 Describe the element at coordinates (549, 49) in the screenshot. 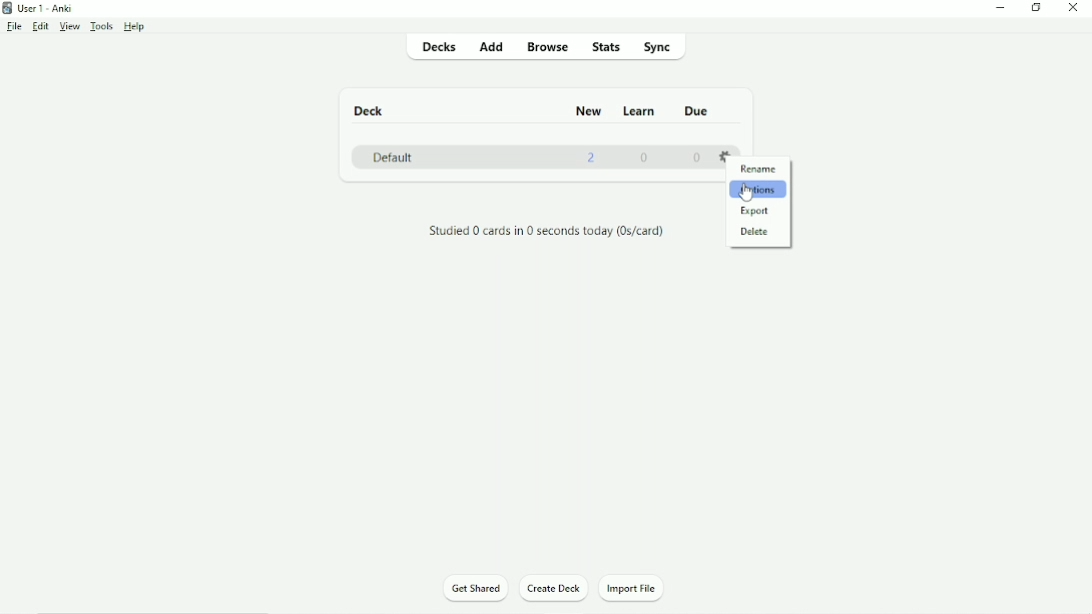

I see `Browse` at that location.